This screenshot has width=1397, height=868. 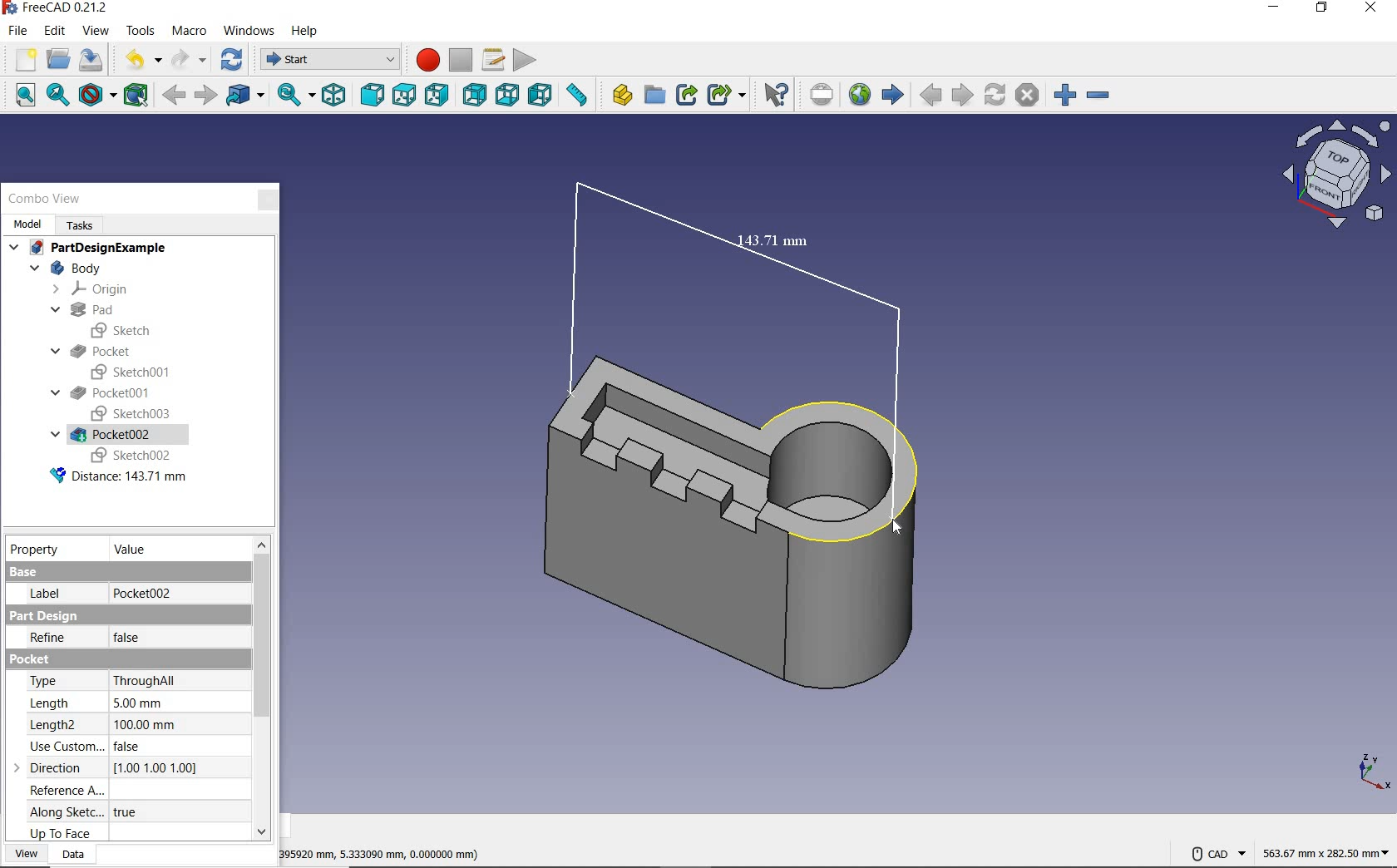 What do you see at coordinates (23, 574) in the screenshot?
I see `base` at bounding box center [23, 574].